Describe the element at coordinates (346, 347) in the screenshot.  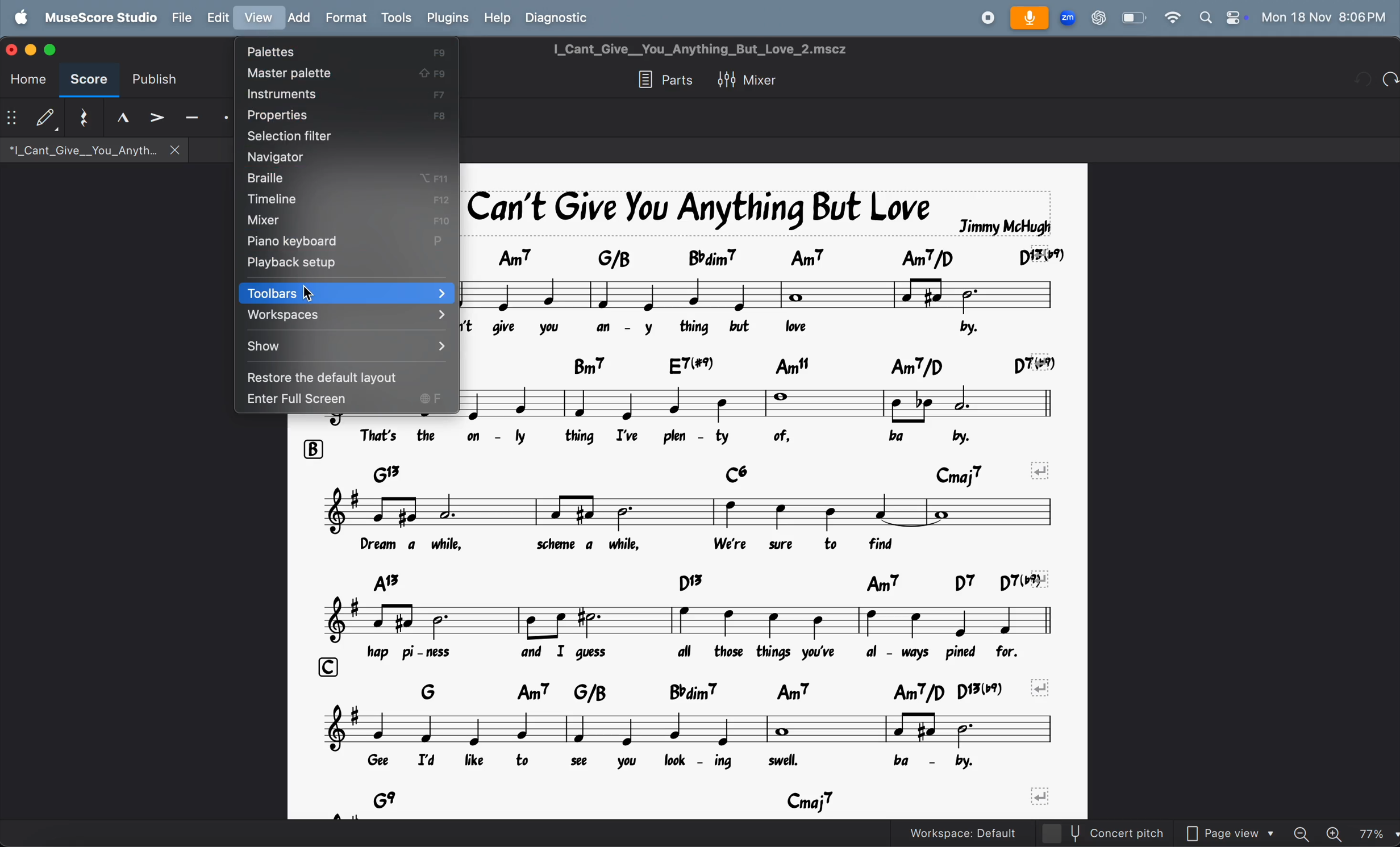
I see `show` at that location.